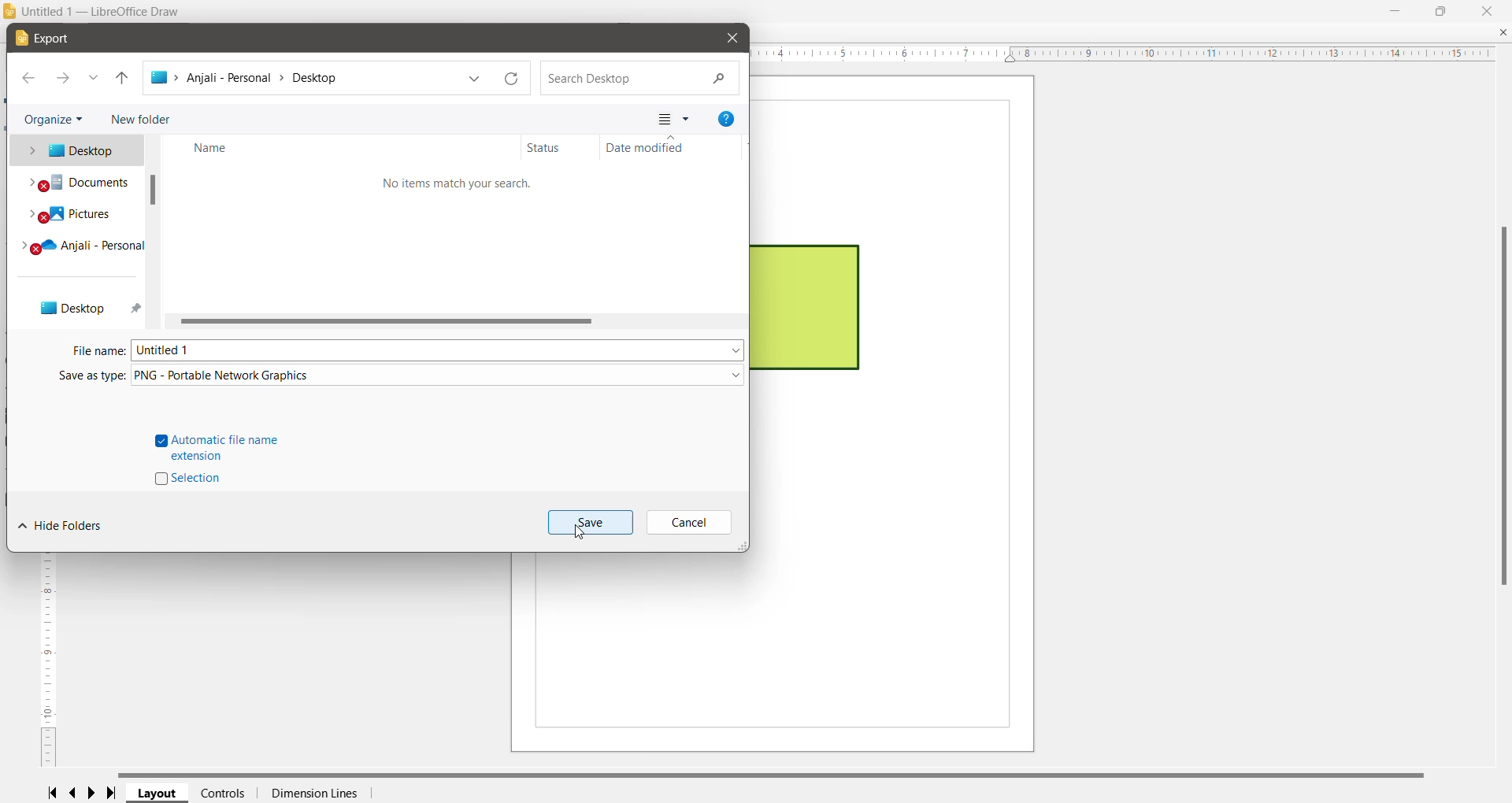  Describe the element at coordinates (732, 38) in the screenshot. I see `Close` at that location.